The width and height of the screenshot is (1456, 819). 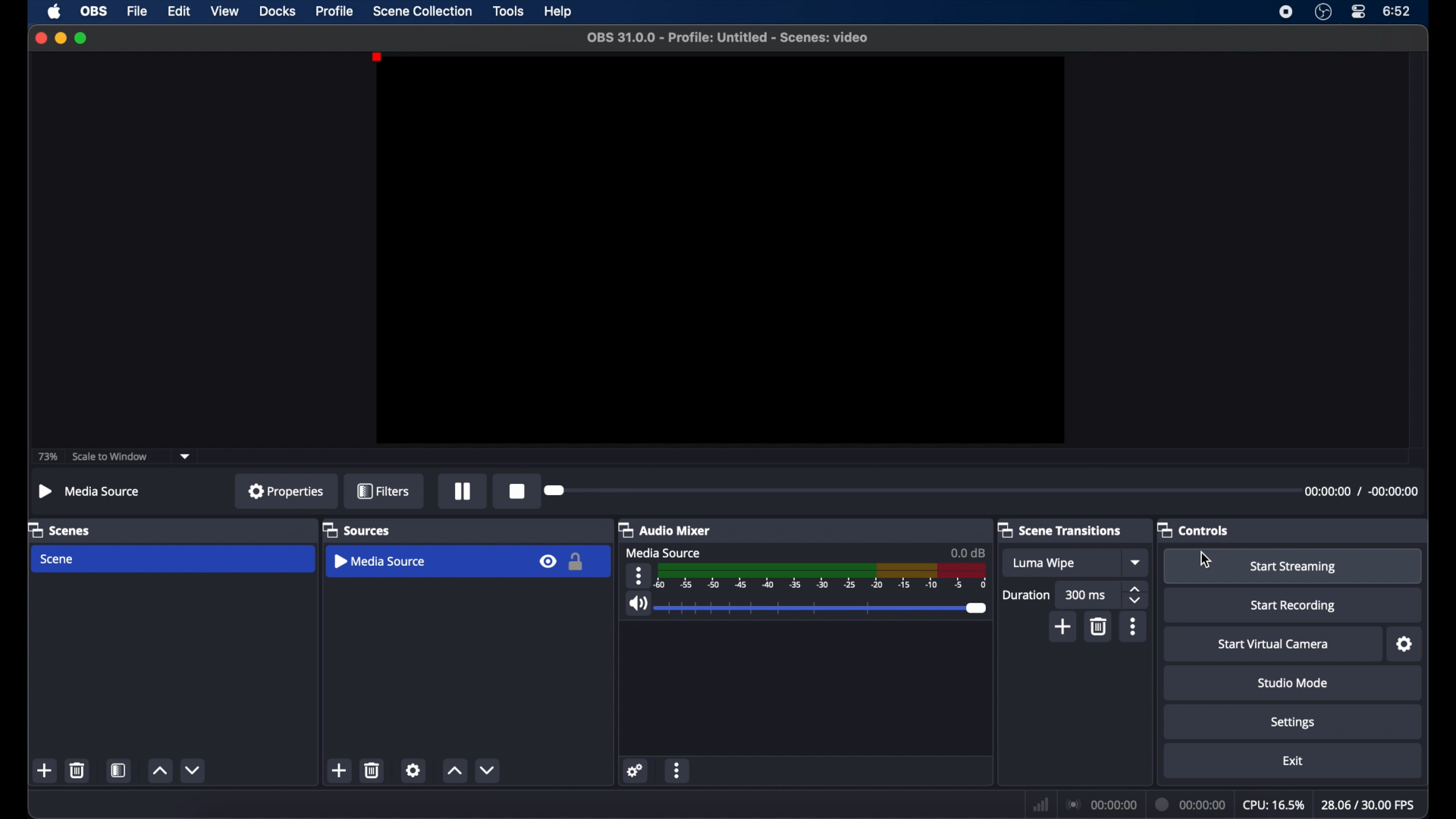 I want to click on view, so click(x=224, y=10).